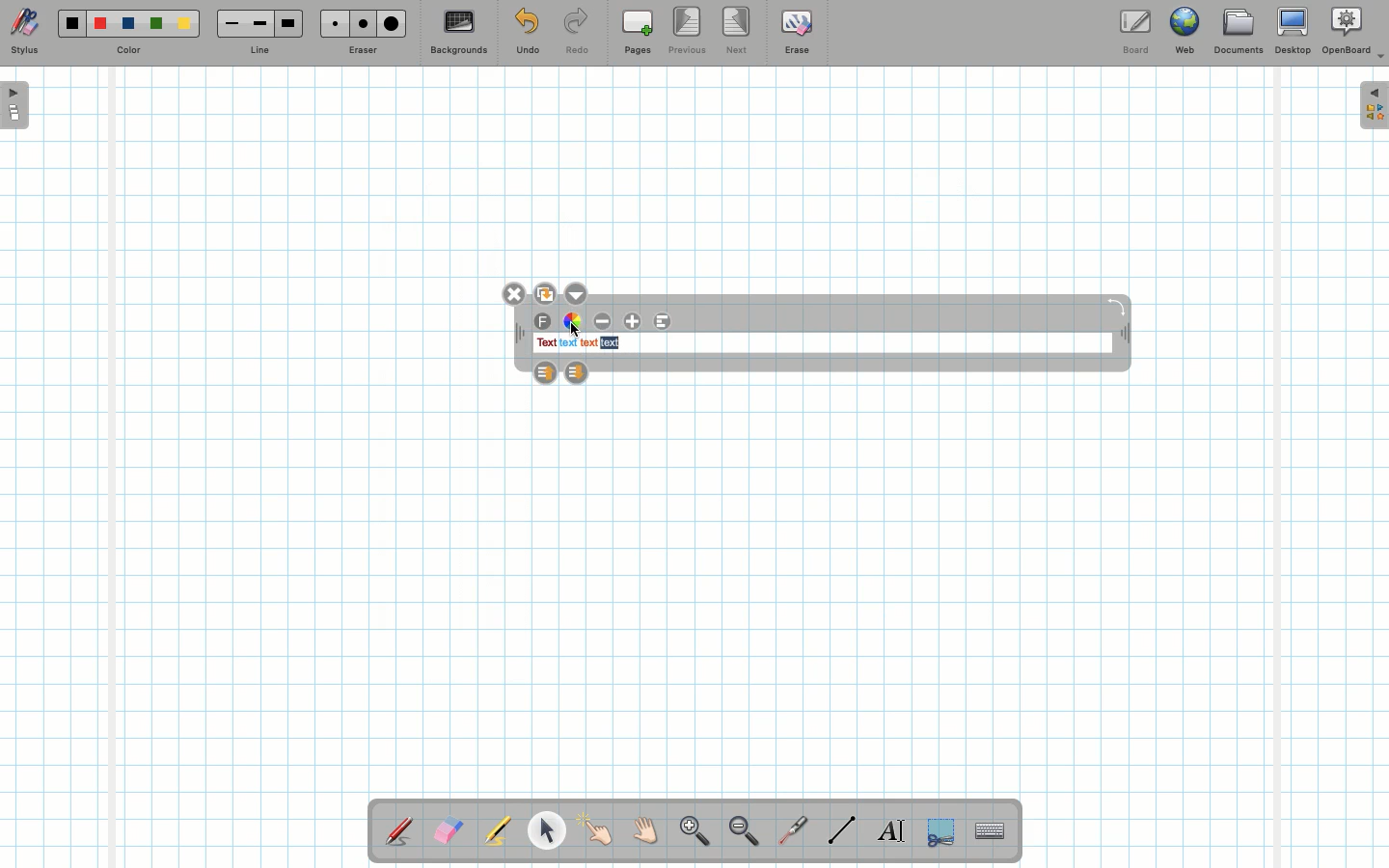 The image size is (1389, 868). Describe the element at coordinates (360, 23) in the screenshot. I see `Medium eraser` at that location.